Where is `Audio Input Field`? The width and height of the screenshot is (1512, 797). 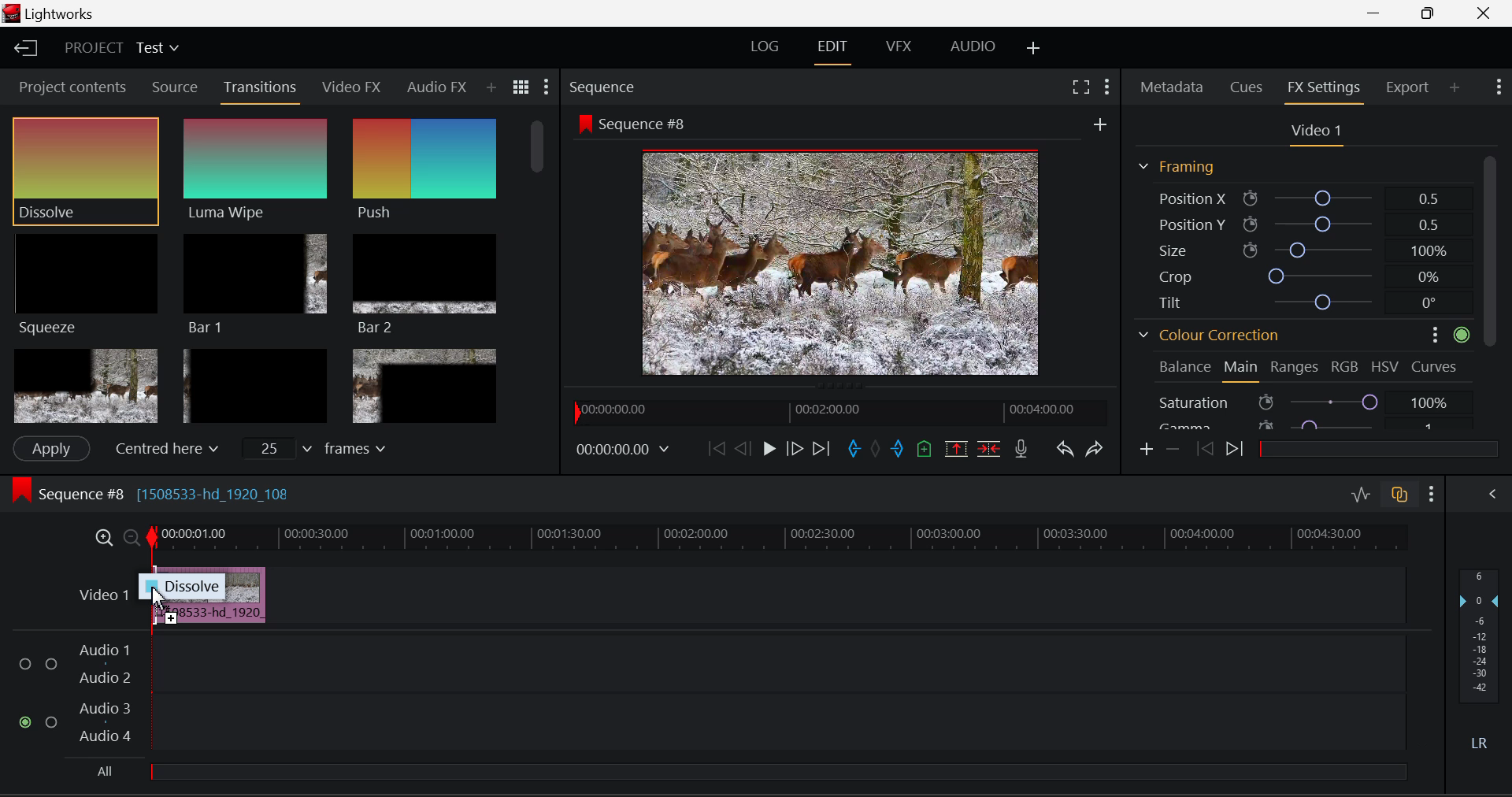 Audio Input Field is located at coordinates (776, 724).